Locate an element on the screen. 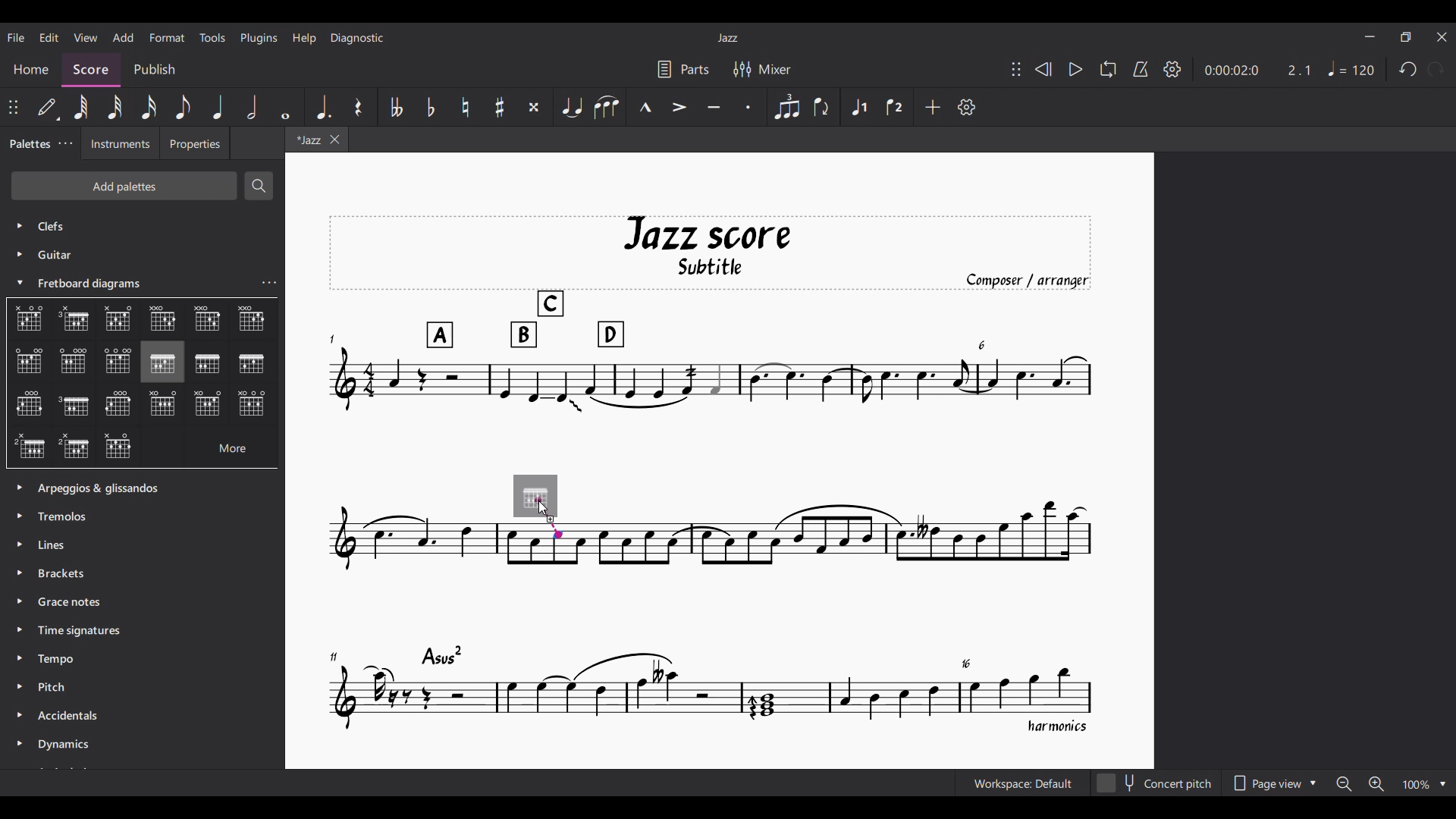 This screenshot has width=1456, height=819. Chart 18 is located at coordinates (74, 447).